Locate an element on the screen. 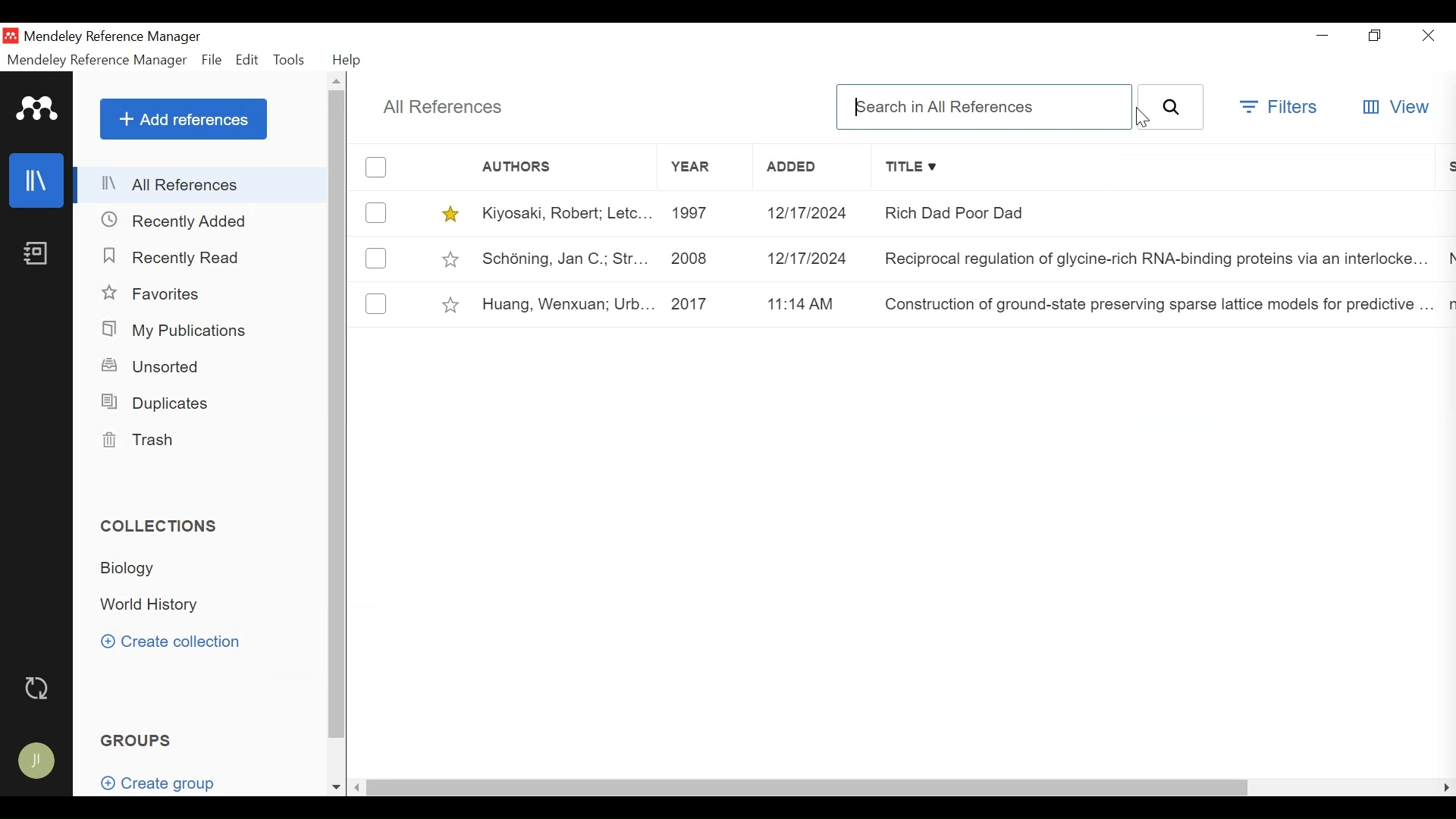  Year is located at coordinates (703, 168).